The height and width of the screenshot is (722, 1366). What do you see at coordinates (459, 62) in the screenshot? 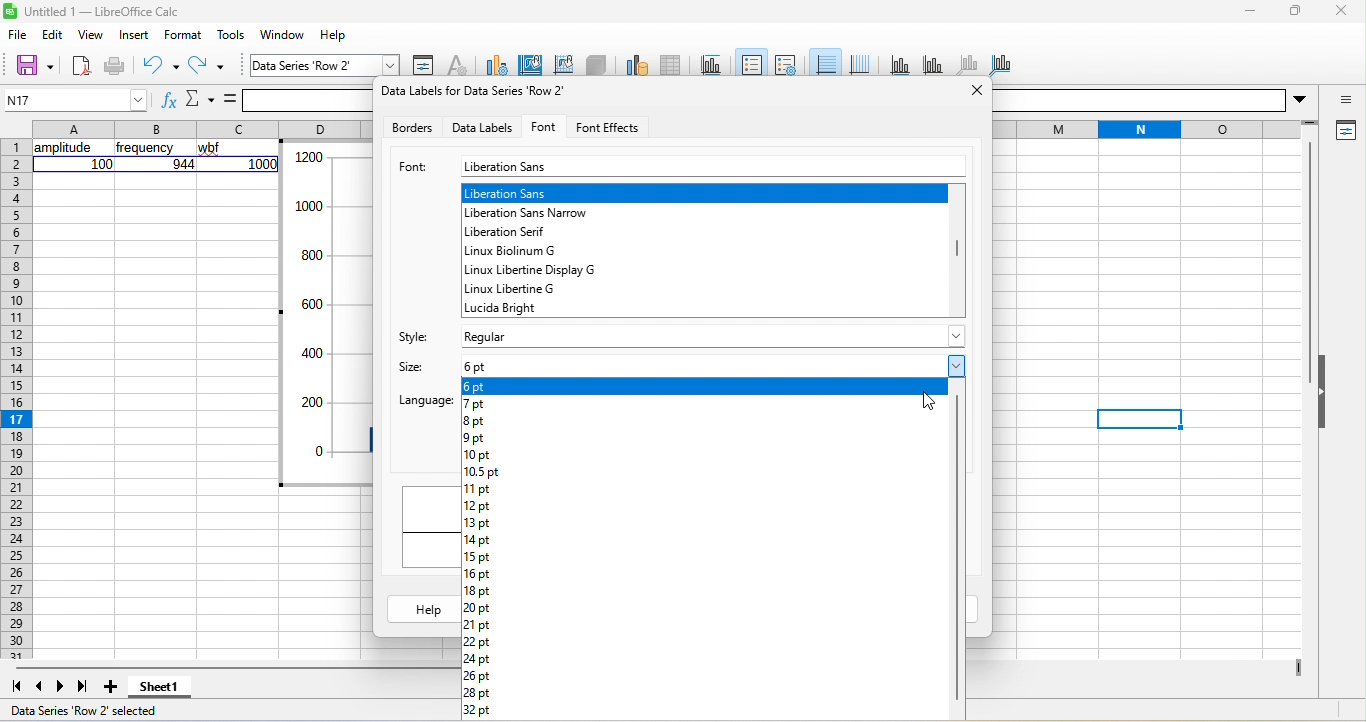
I see `character` at bounding box center [459, 62].